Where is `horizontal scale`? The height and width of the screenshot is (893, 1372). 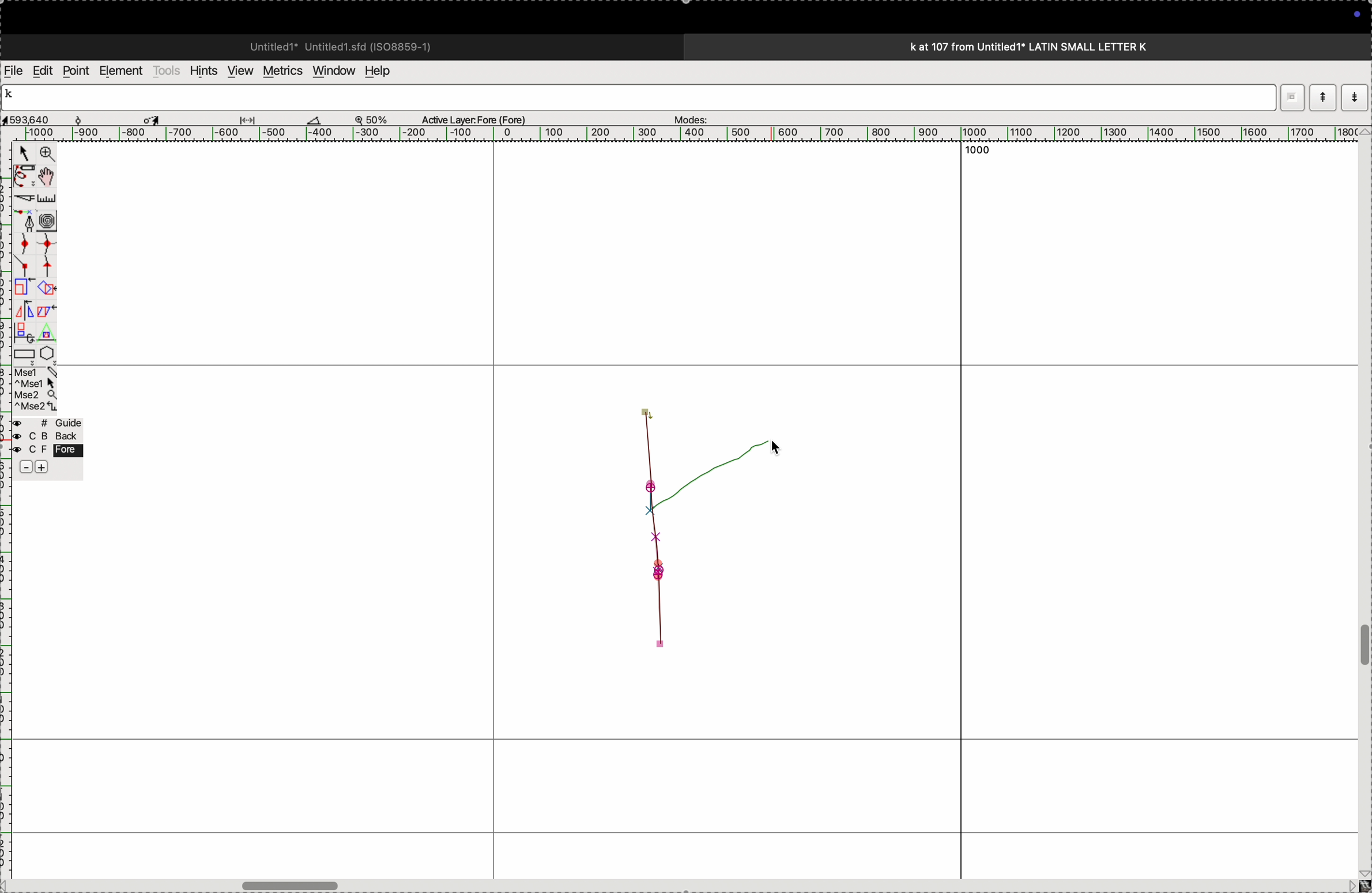
horizontal scale is located at coordinates (673, 134).